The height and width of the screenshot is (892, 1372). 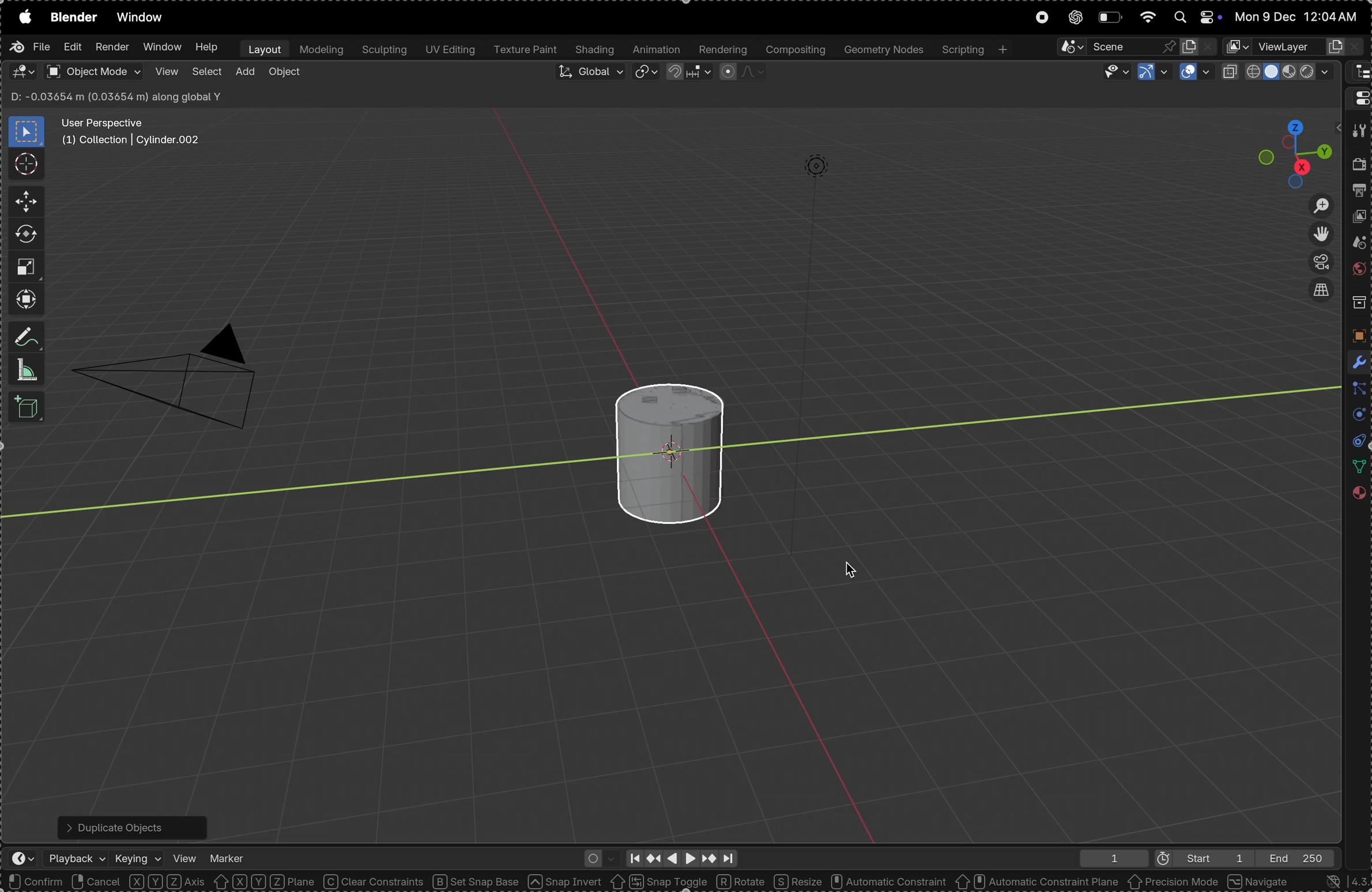 I want to click on Plane, so click(x=294, y=882).